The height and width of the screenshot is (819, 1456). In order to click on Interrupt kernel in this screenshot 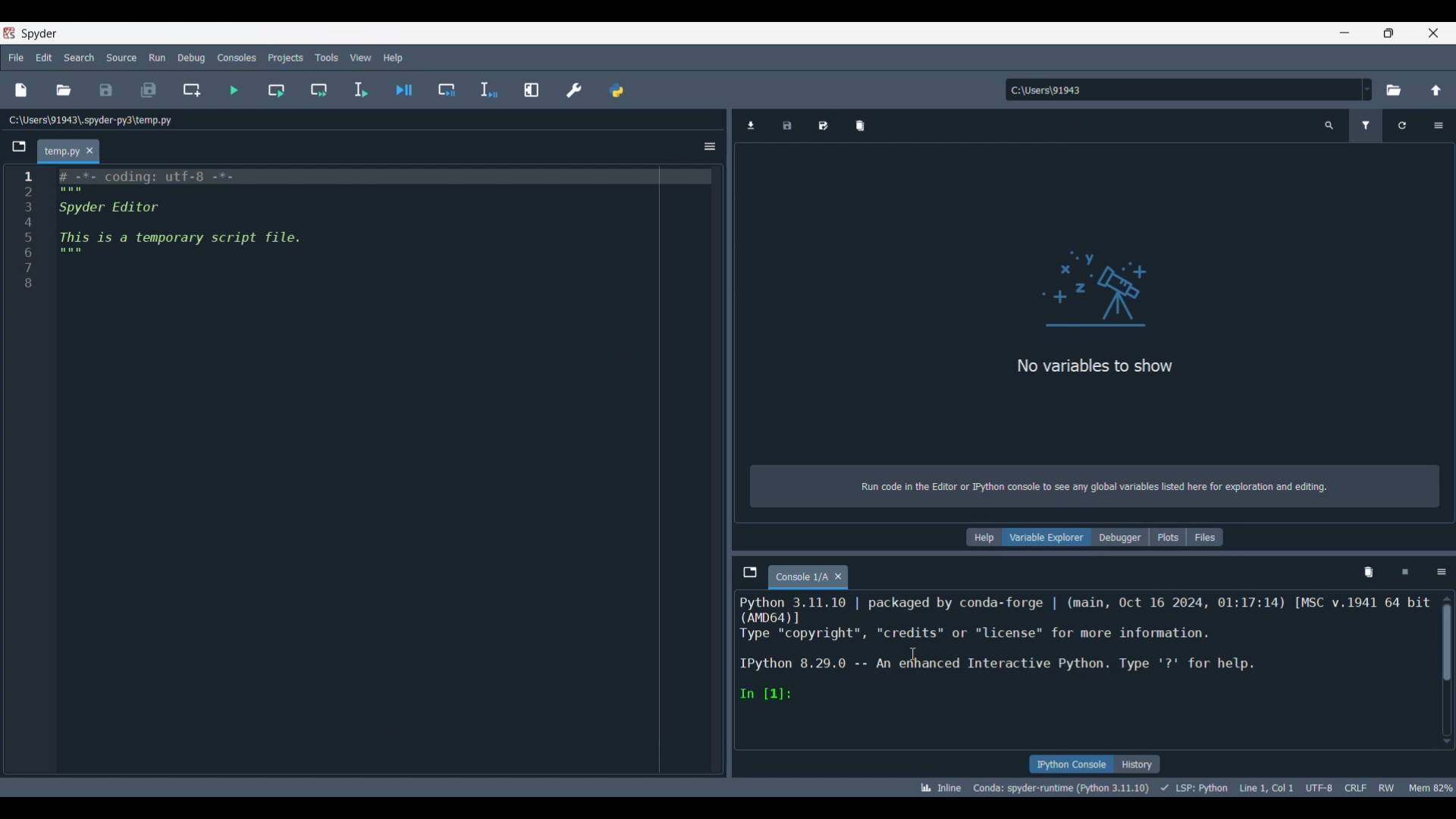, I will do `click(1405, 573)`.